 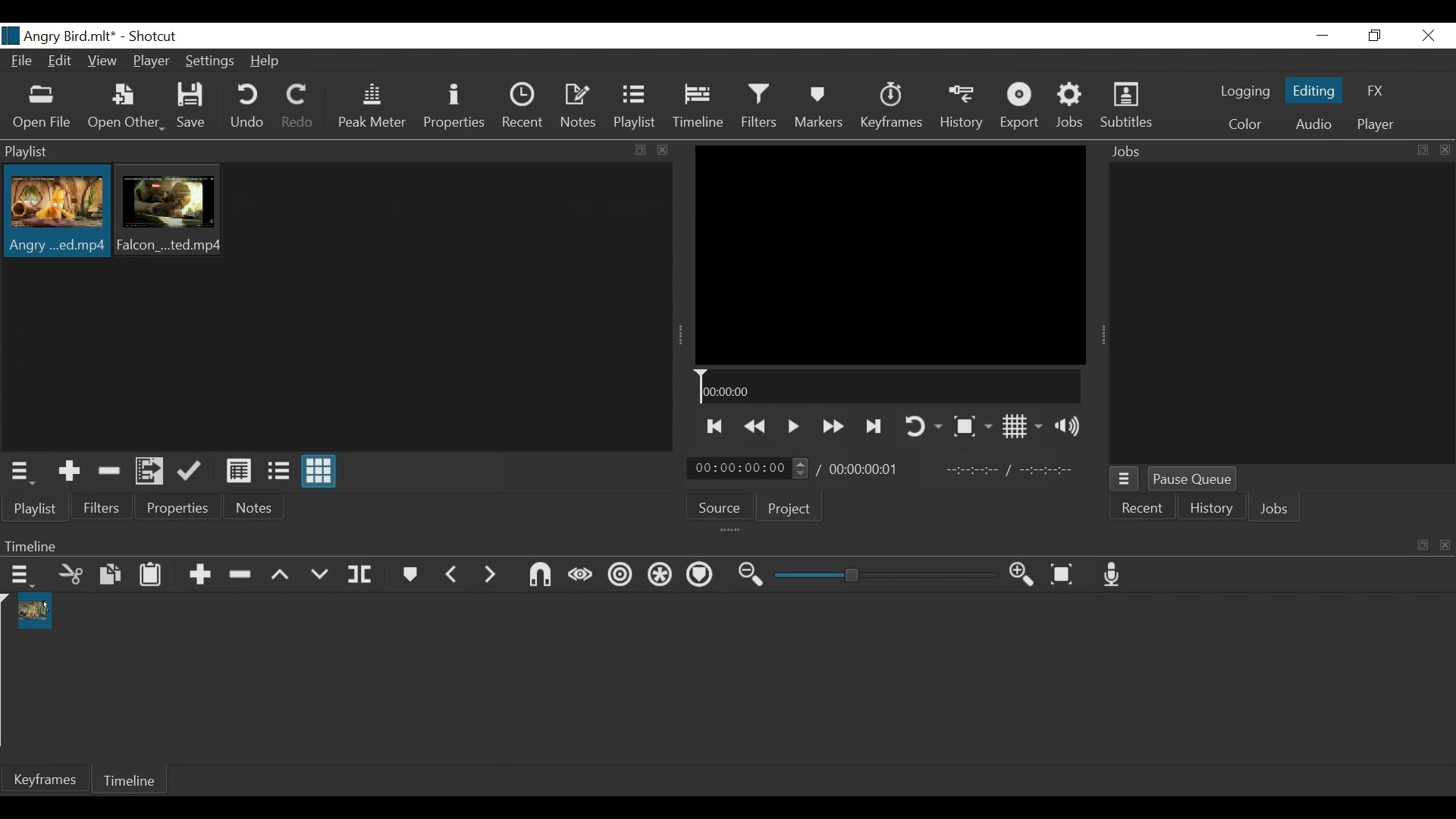 What do you see at coordinates (1025, 576) in the screenshot?
I see `Zoom timeline in` at bounding box center [1025, 576].